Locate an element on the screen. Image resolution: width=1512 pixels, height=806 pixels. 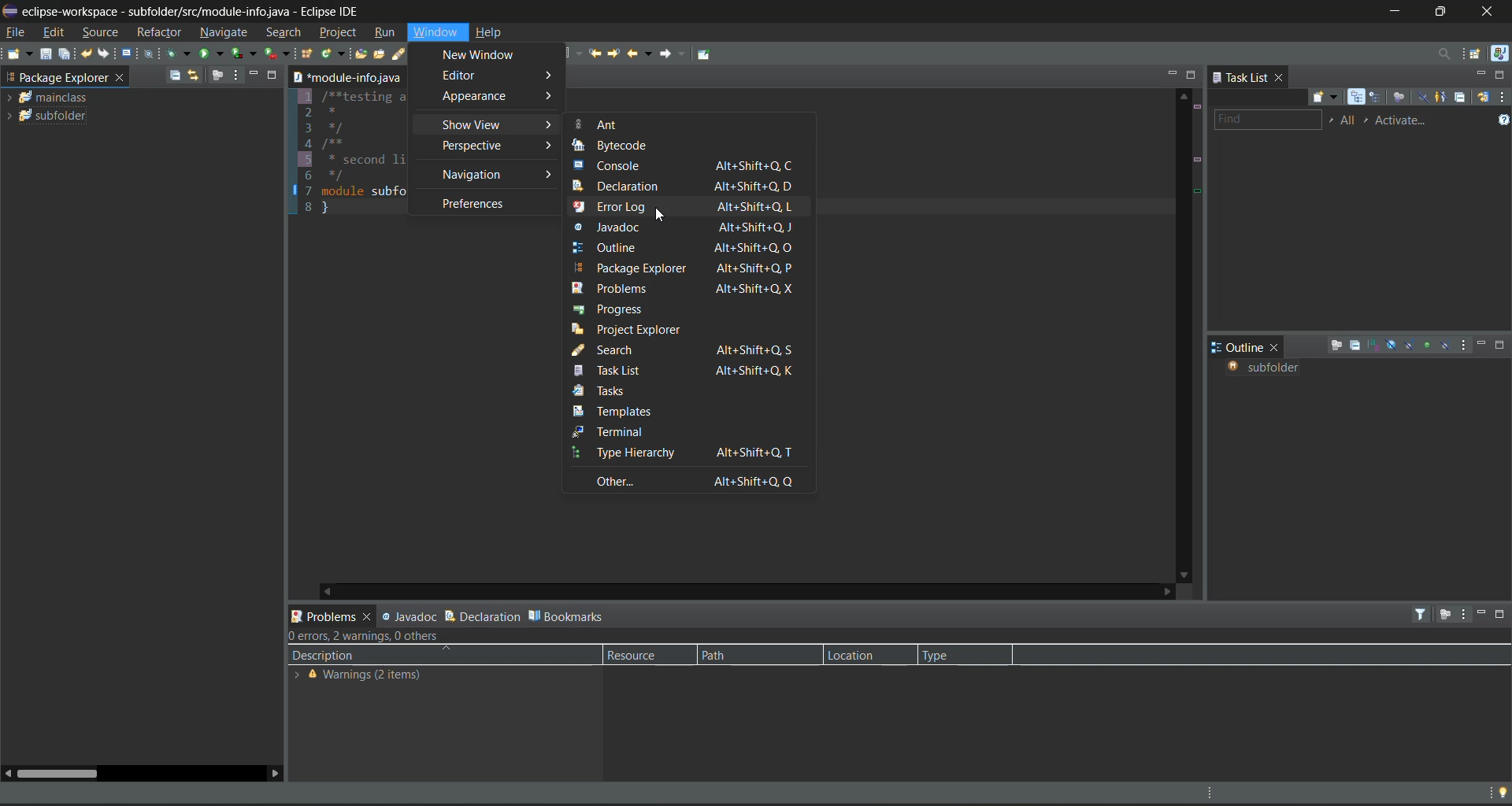
declaration is located at coordinates (484, 616).